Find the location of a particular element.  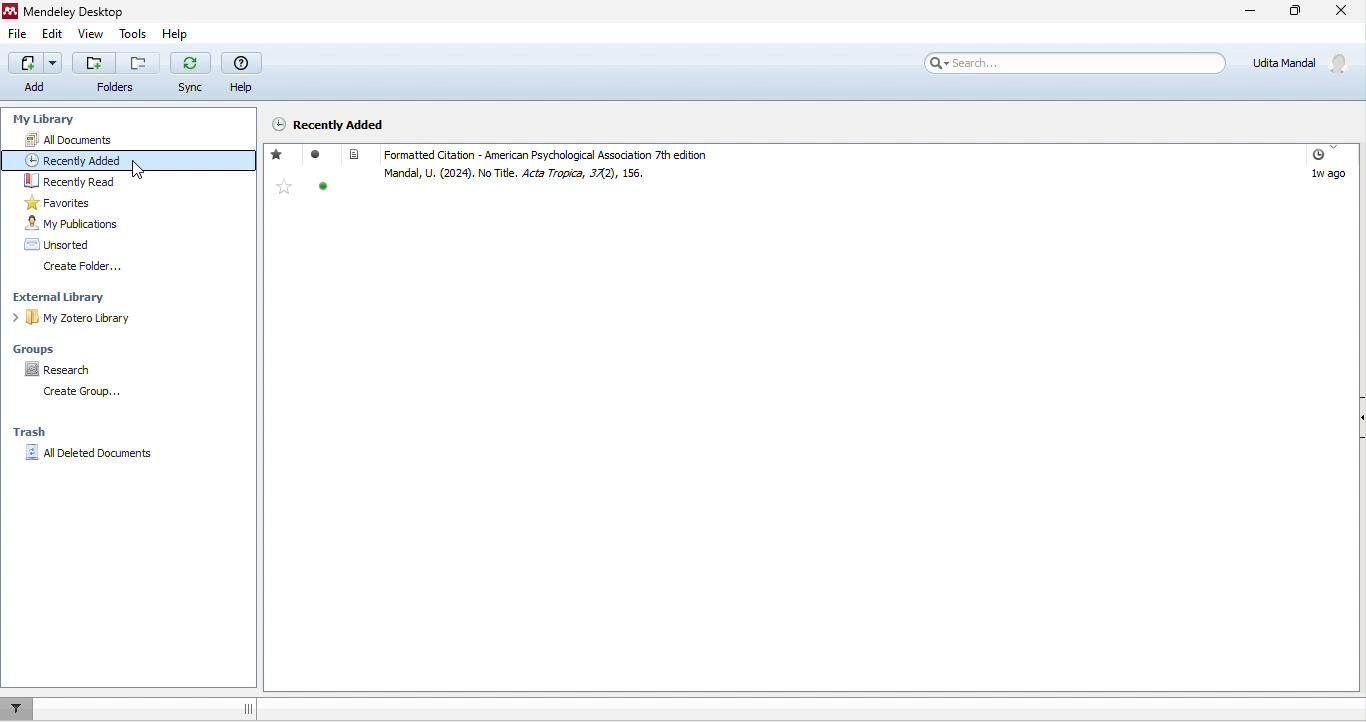

mendeley desktop is located at coordinates (78, 11).